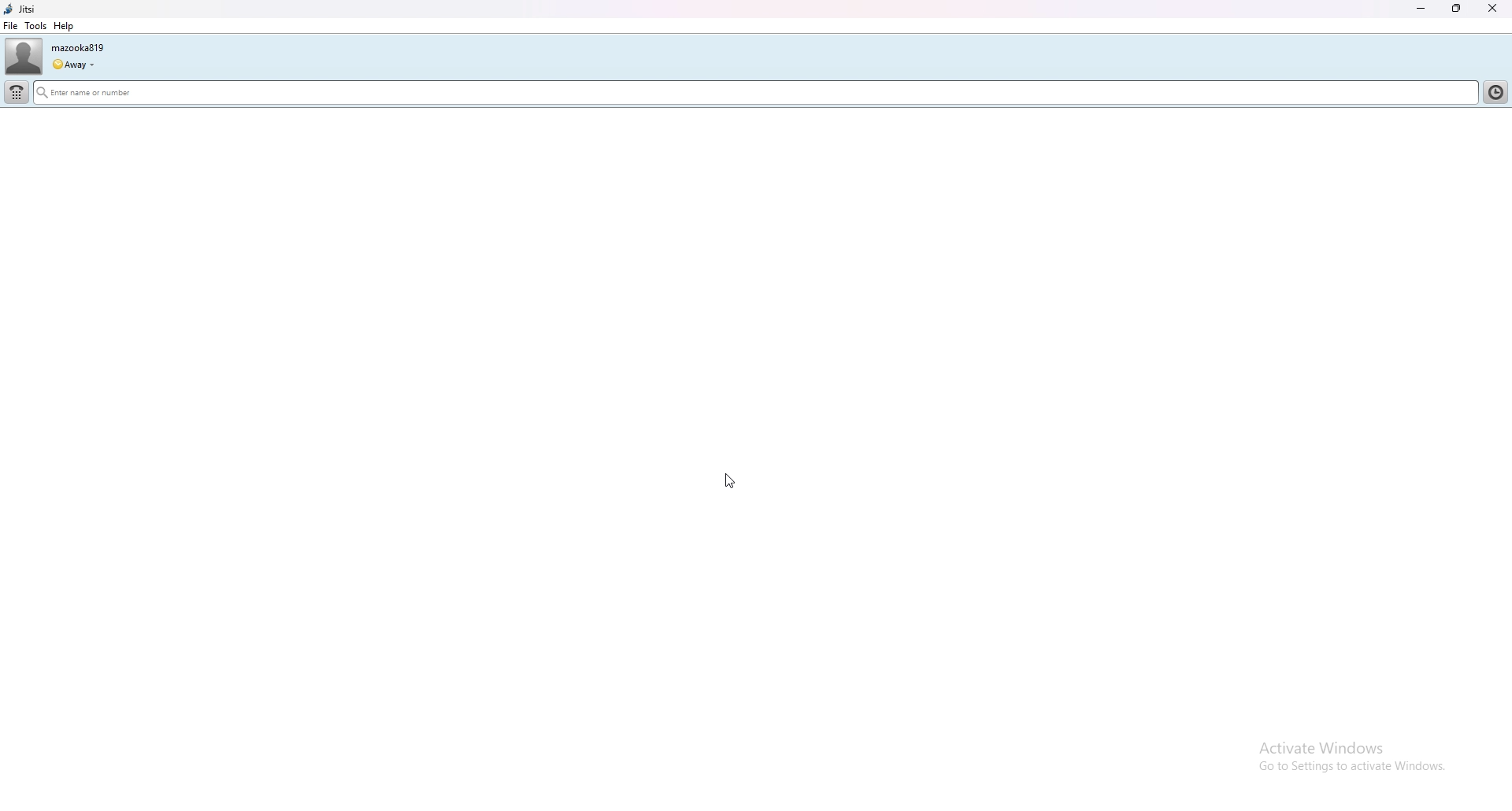  I want to click on minimize, so click(1421, 9).